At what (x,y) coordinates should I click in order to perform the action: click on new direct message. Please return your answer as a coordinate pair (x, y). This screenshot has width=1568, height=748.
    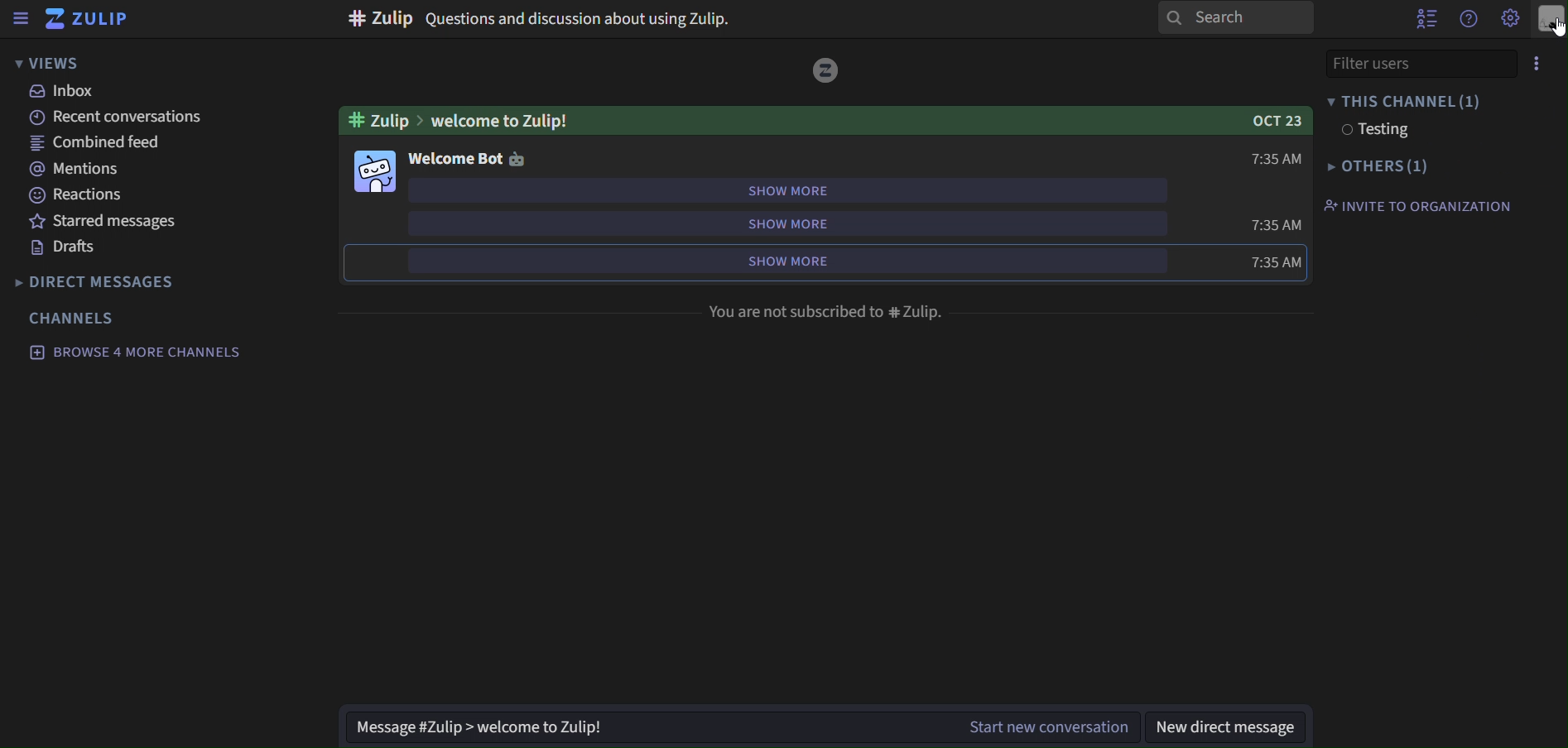
    Looking at the image, I should click on (1227, 728).